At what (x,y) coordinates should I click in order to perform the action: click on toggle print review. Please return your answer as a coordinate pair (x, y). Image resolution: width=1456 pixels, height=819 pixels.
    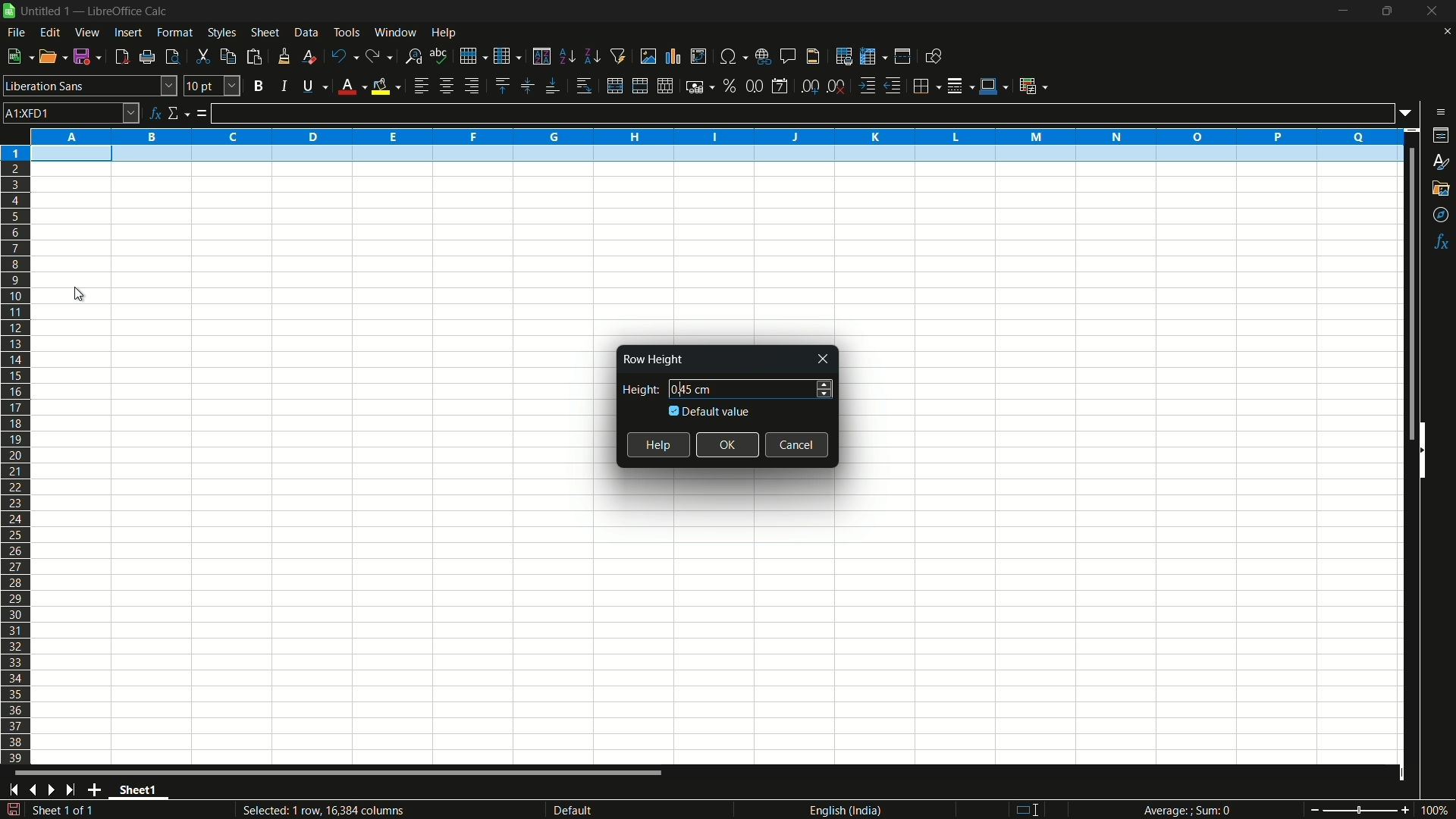
    Looking at the image, I should click on (171, 57).